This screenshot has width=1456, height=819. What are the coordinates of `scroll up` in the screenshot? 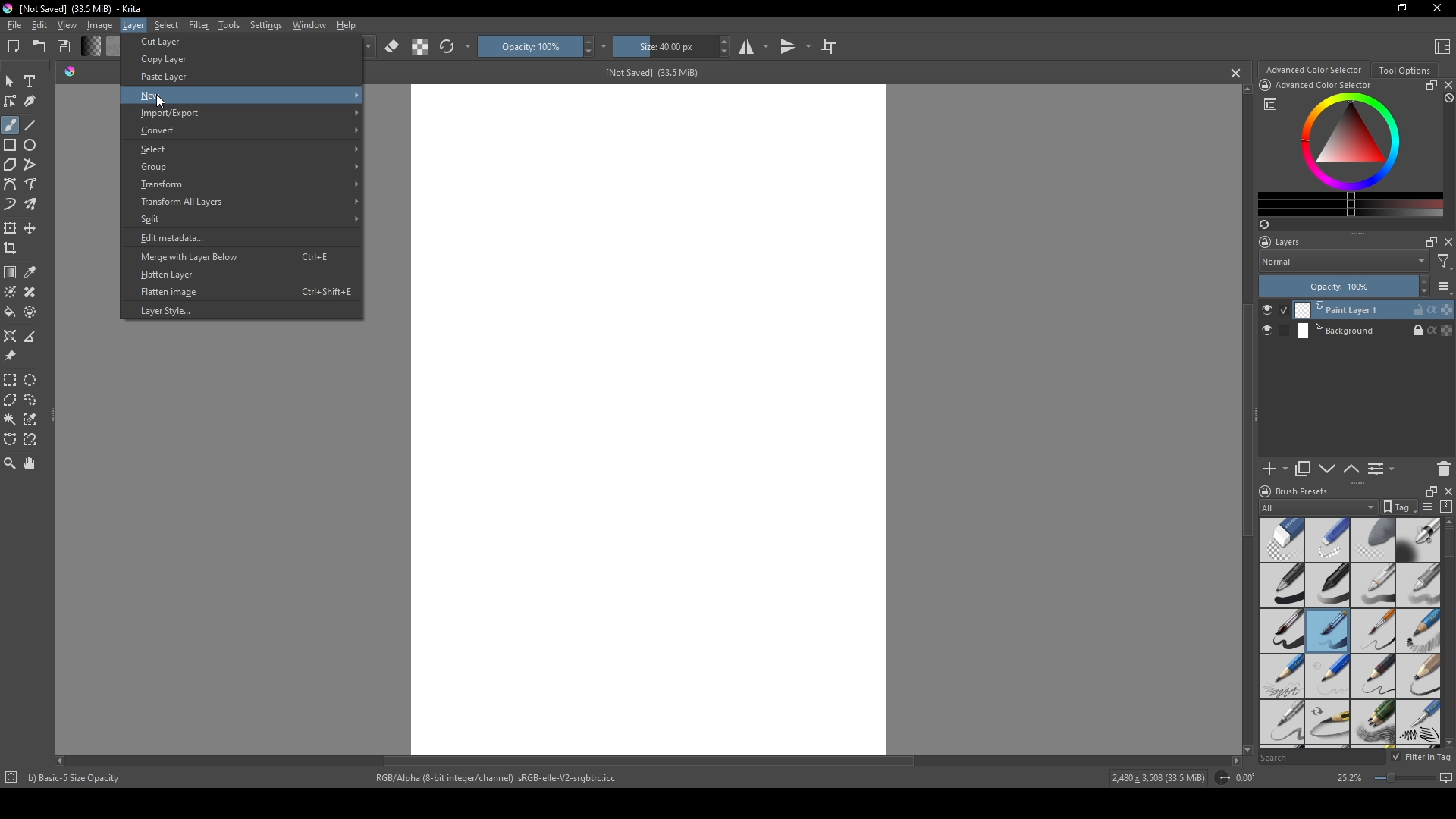 It's located at (1447, 522).